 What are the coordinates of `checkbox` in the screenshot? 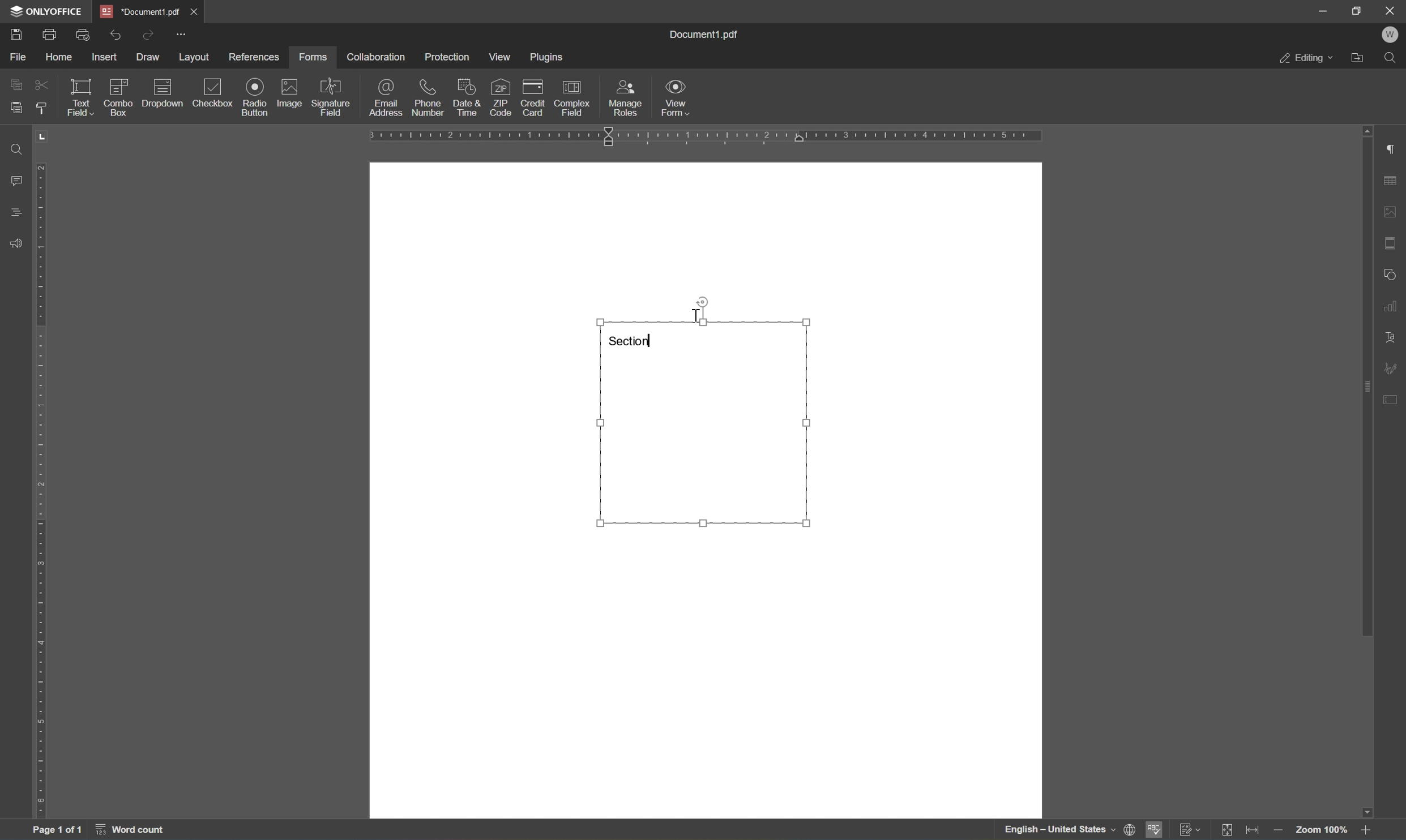 It's located at (215, 93).